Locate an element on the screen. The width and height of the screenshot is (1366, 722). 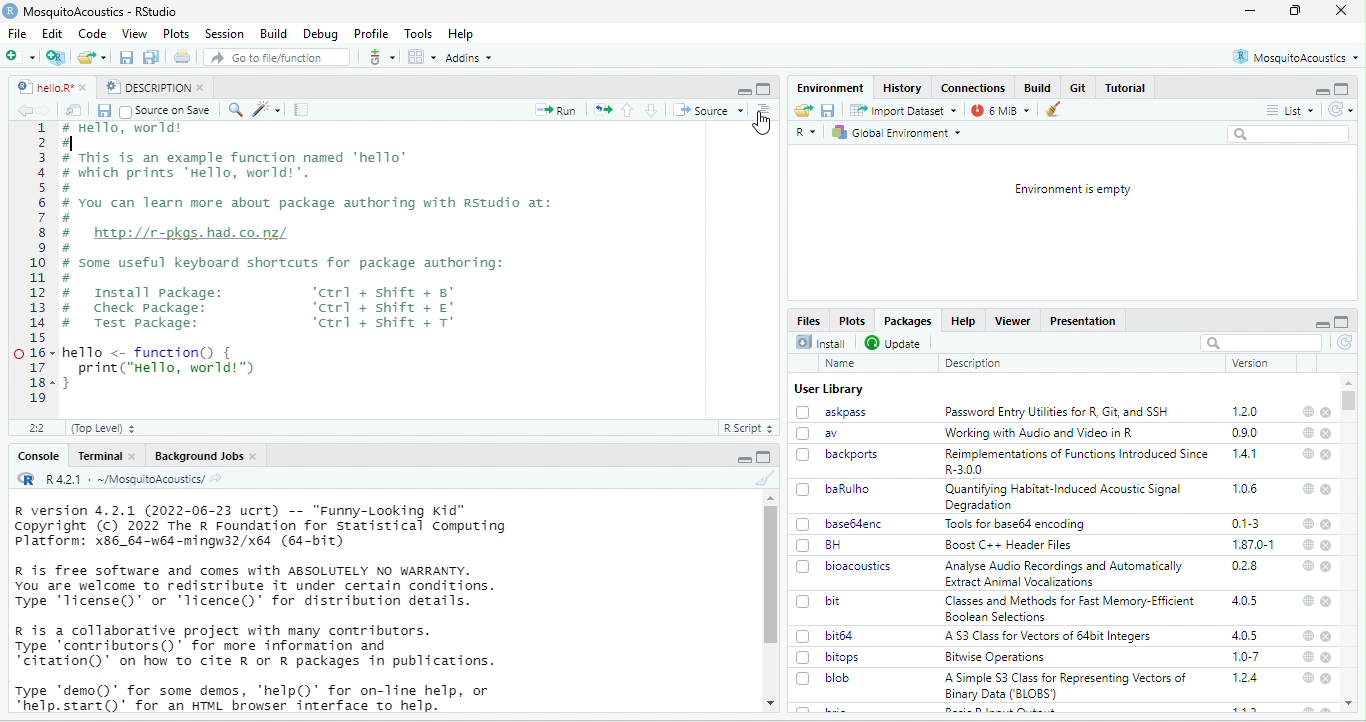
Install is located at coordinates (821, 342).